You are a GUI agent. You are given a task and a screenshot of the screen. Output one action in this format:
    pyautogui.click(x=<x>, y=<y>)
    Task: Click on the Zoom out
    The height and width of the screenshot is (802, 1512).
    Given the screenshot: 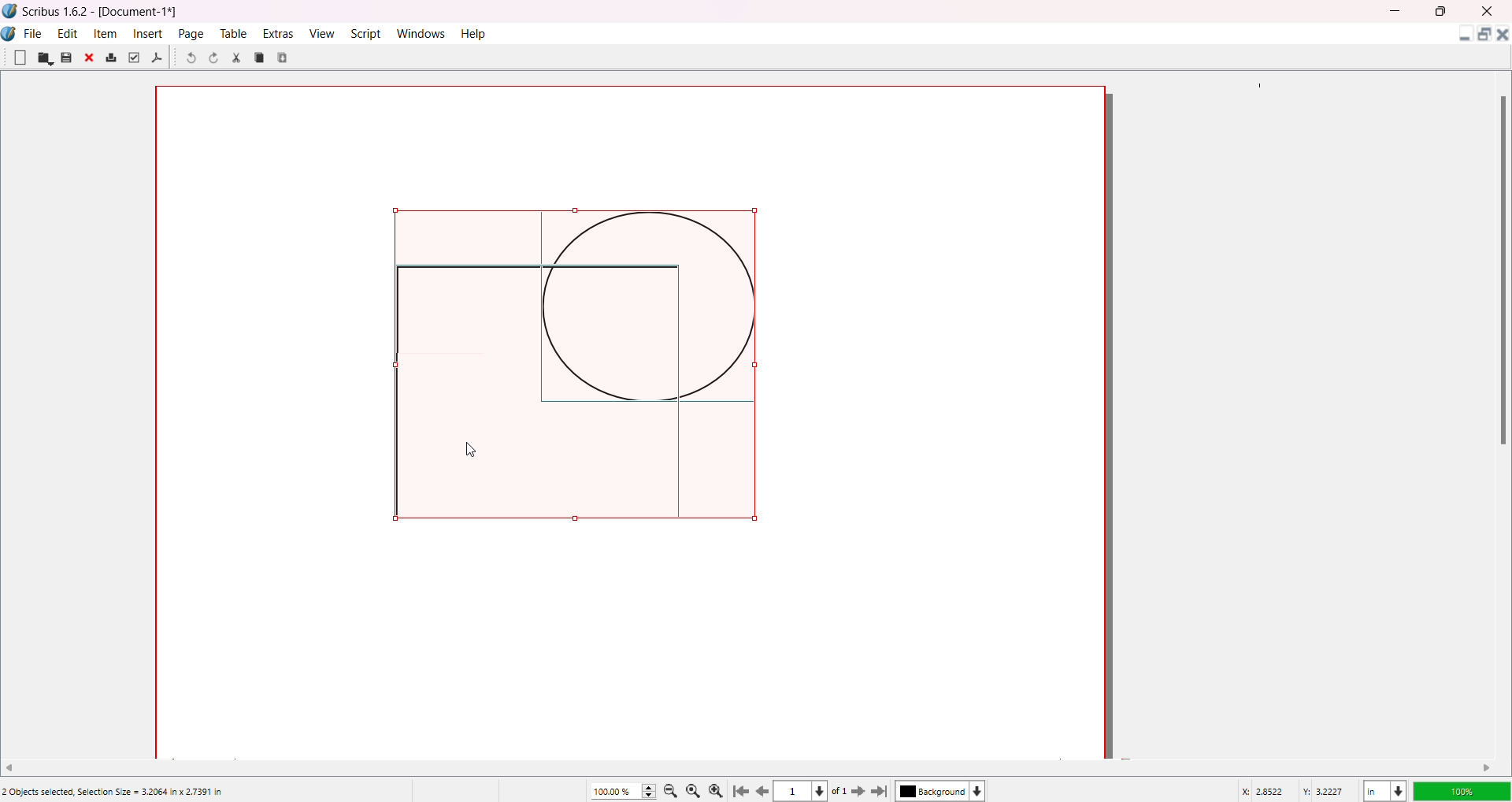 What is the action you would take?
    pyautogui.click(x=673, y=790)
    